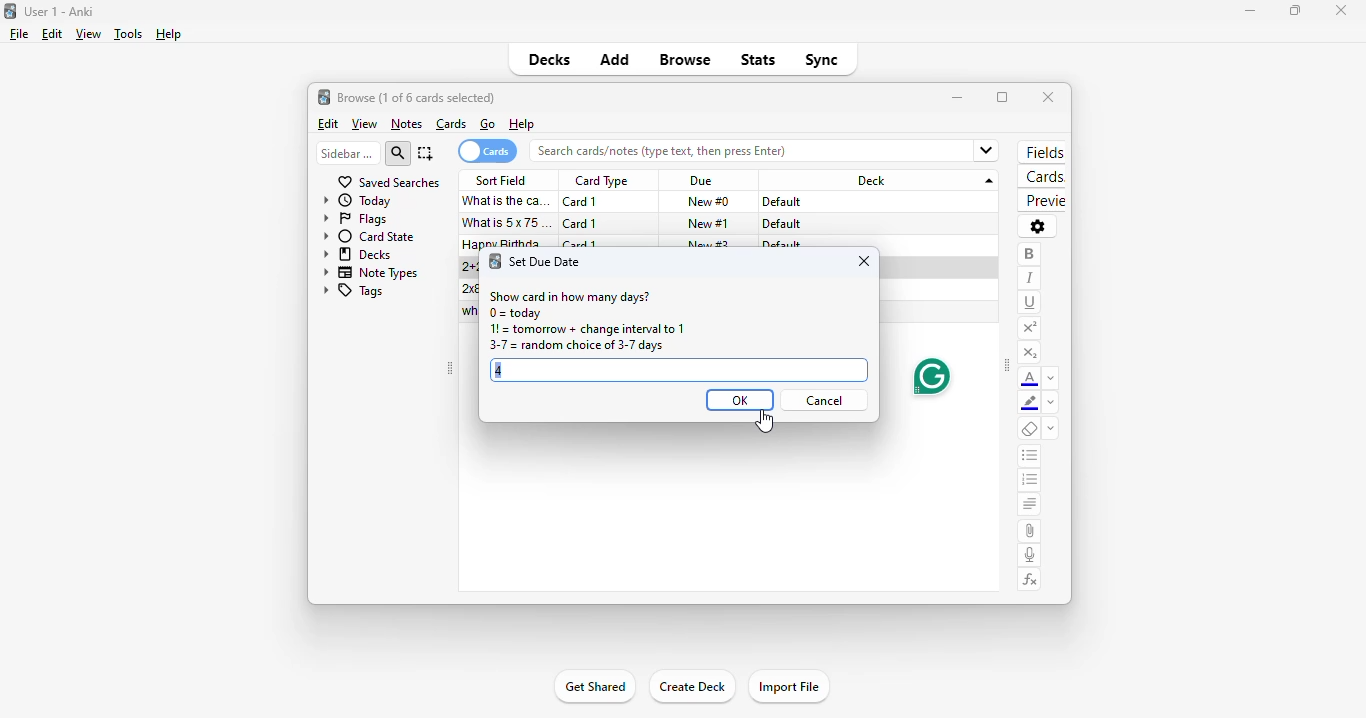 This screenshot has width=1366, height=718. I want to click on 0 = today, so click(517, 314).